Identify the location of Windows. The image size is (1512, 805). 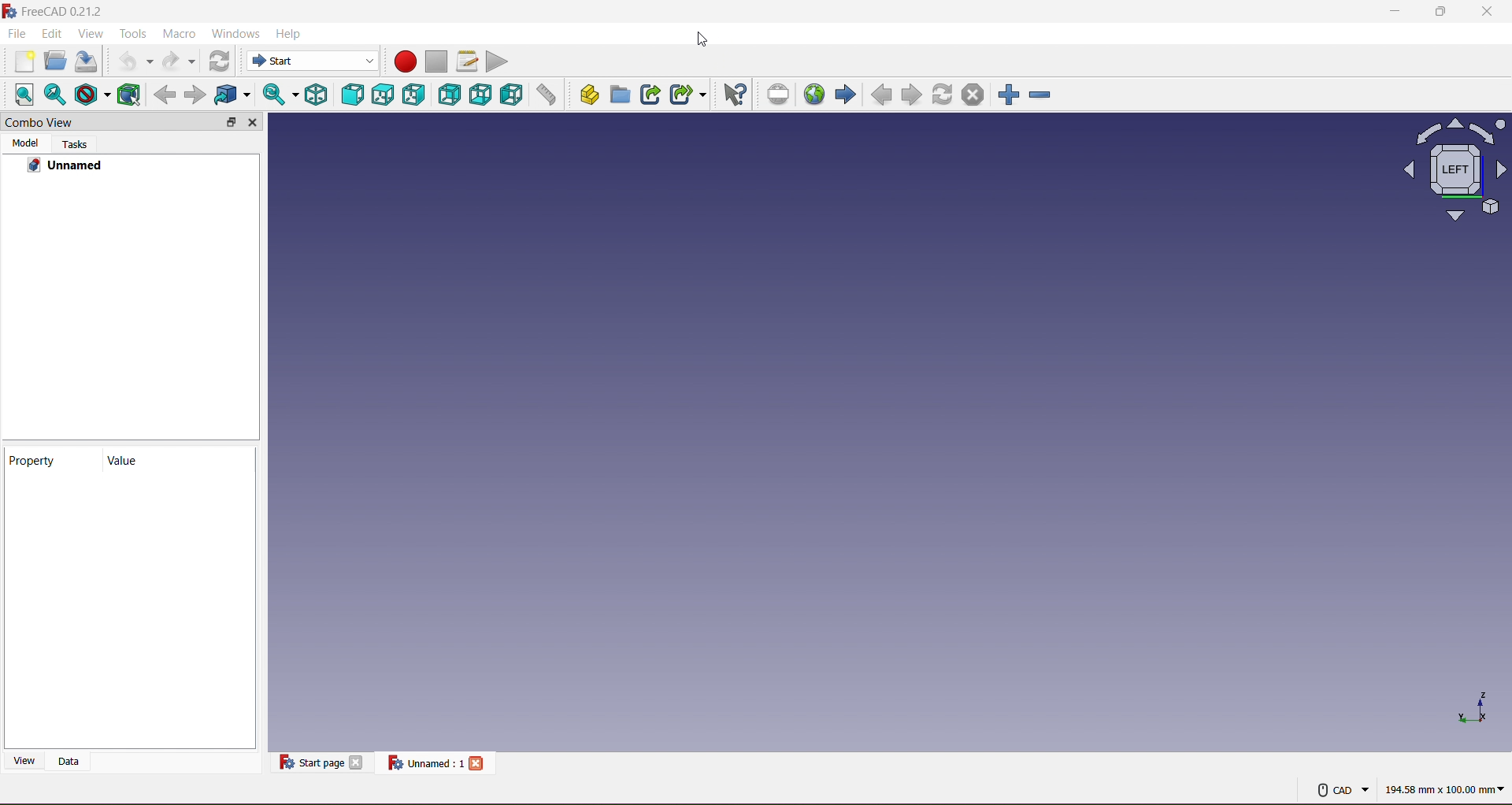
(235, 33).